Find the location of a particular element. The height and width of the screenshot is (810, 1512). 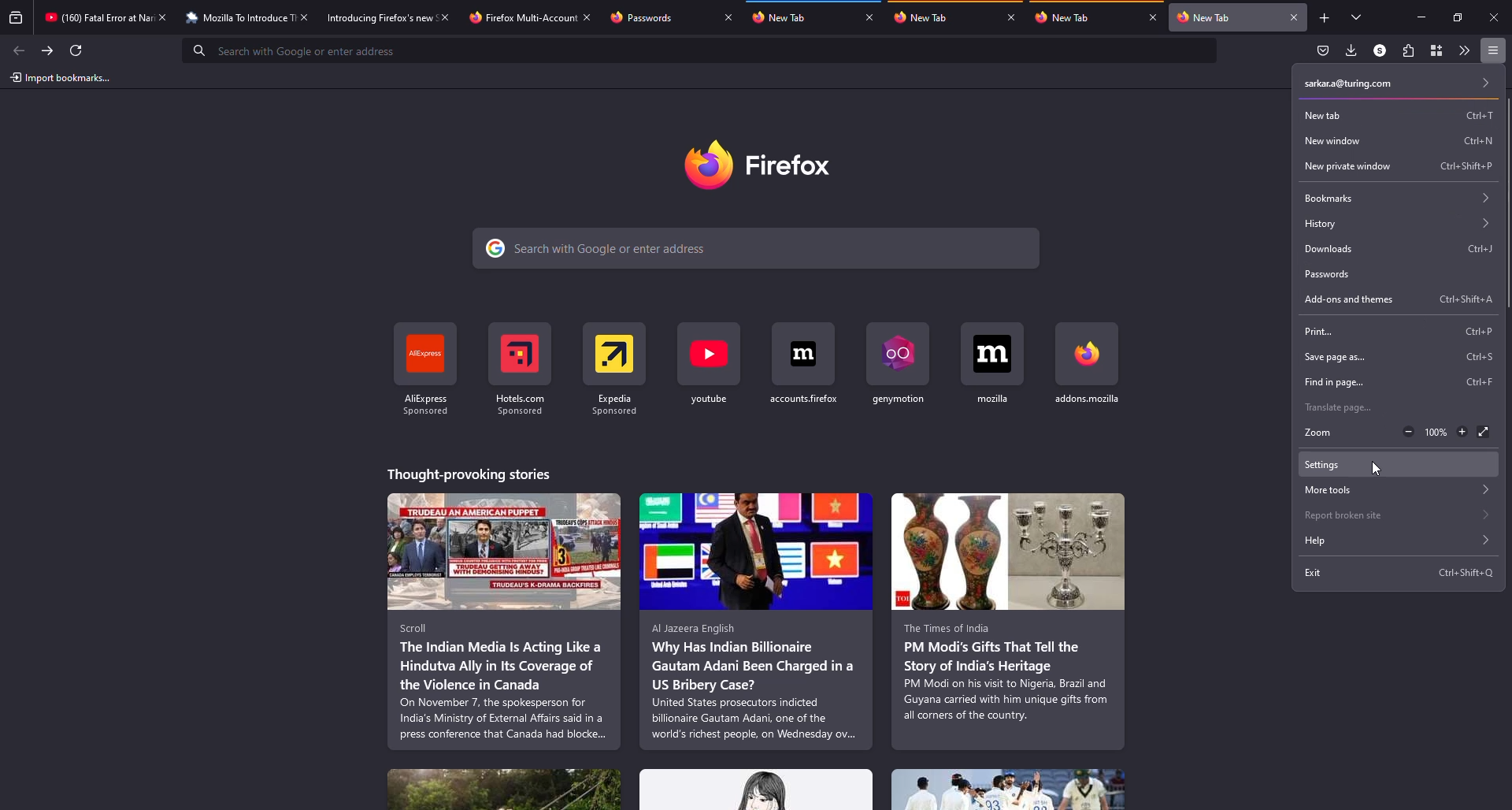

passwords is located at coordinates (1331, 273).